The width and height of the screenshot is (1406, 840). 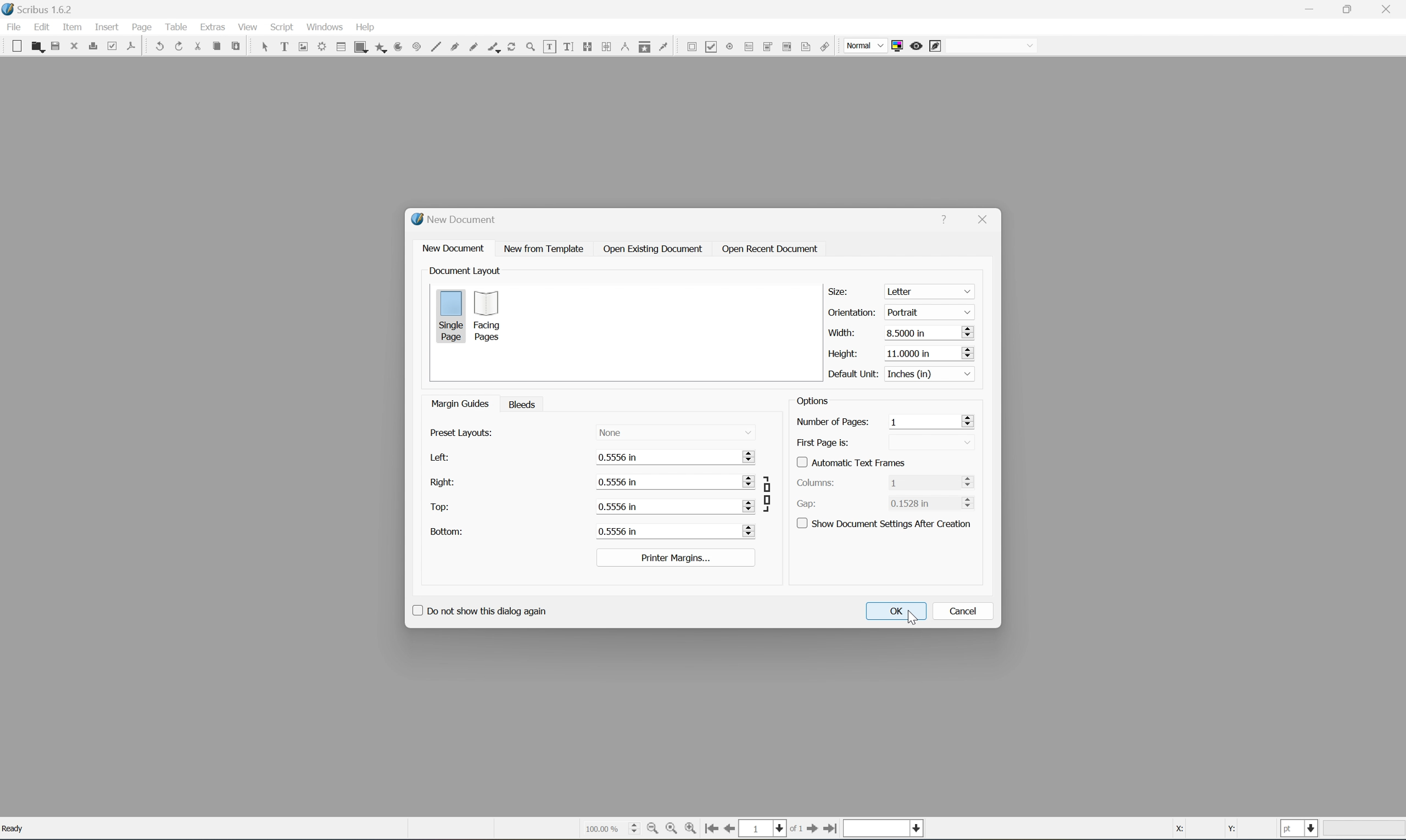 I want to click on zoom in, so click(x=694, y=831).